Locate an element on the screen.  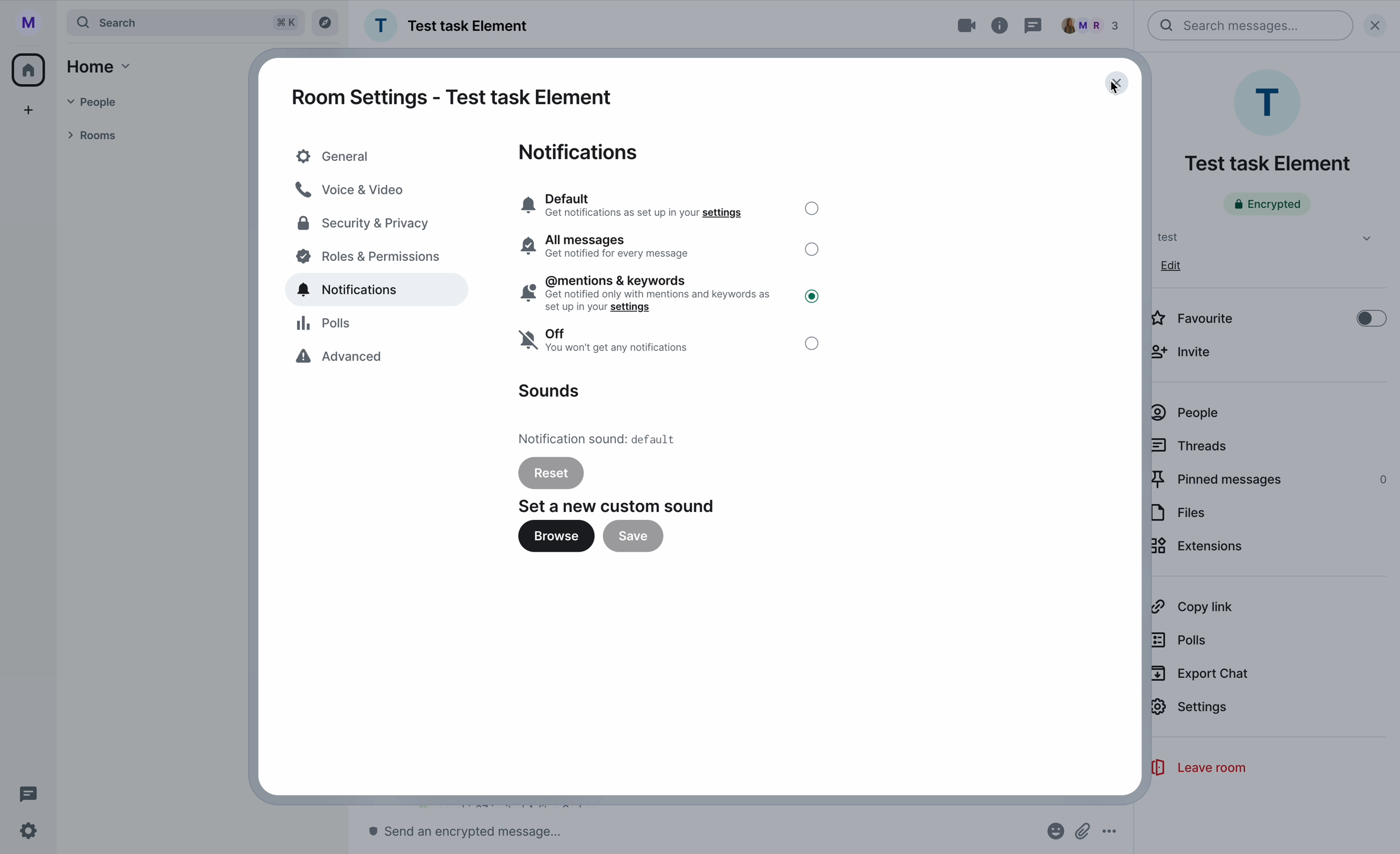
sound is located at coordinates (548, 391).